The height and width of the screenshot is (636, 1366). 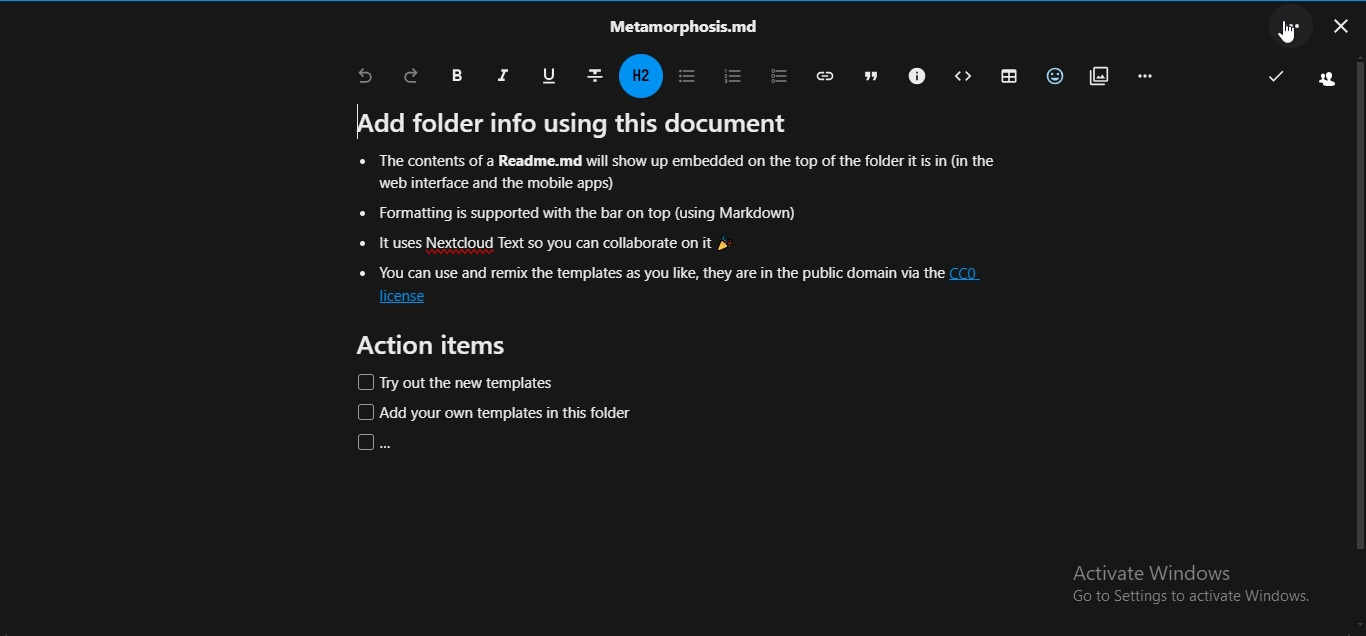 What do you see at coordinates (1276, 77) in the screenshot?
I see `last saved` at bounding box center [1276, 77].